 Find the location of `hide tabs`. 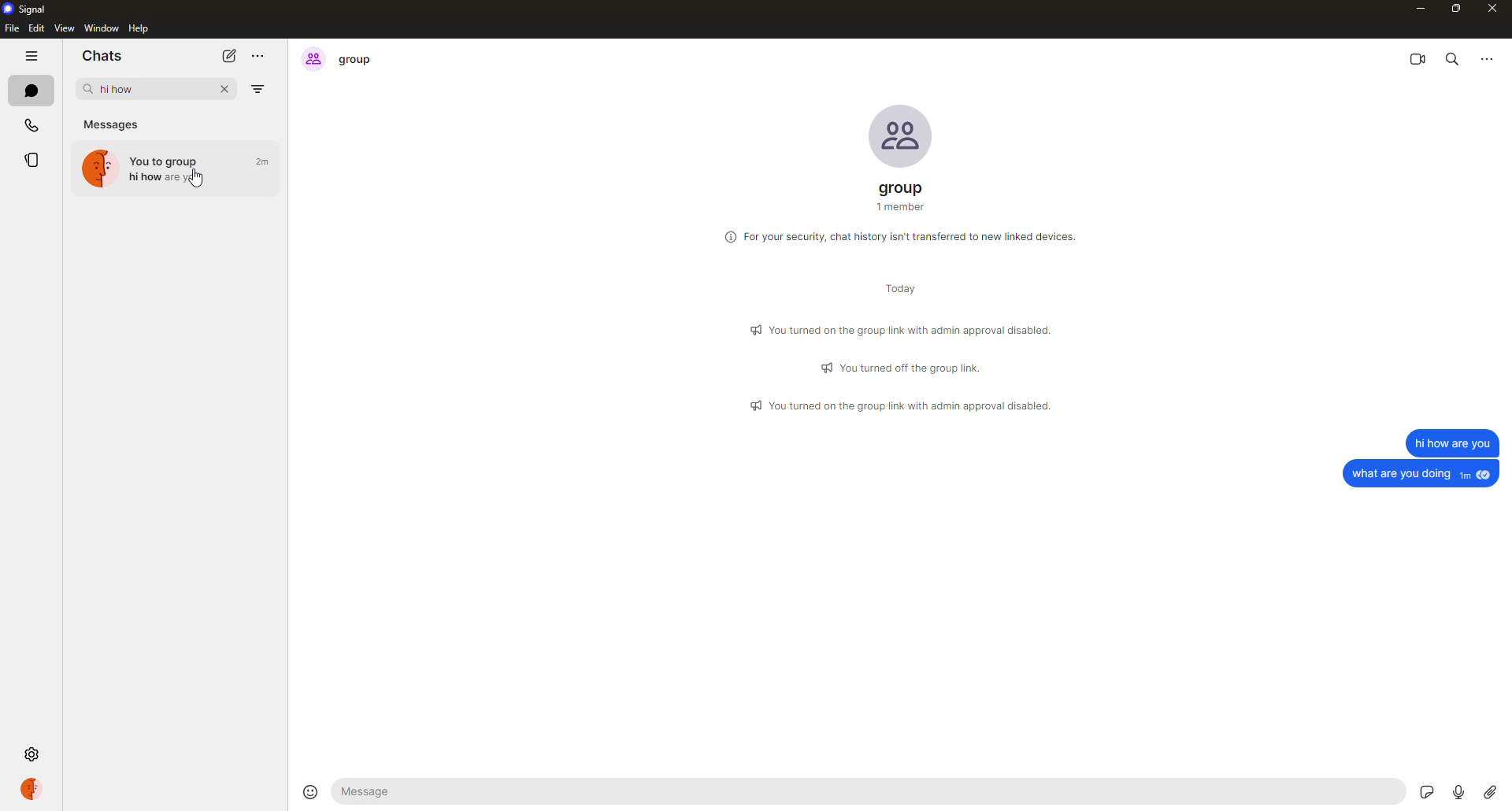

hide tabs is located at coordinates (31, 57).